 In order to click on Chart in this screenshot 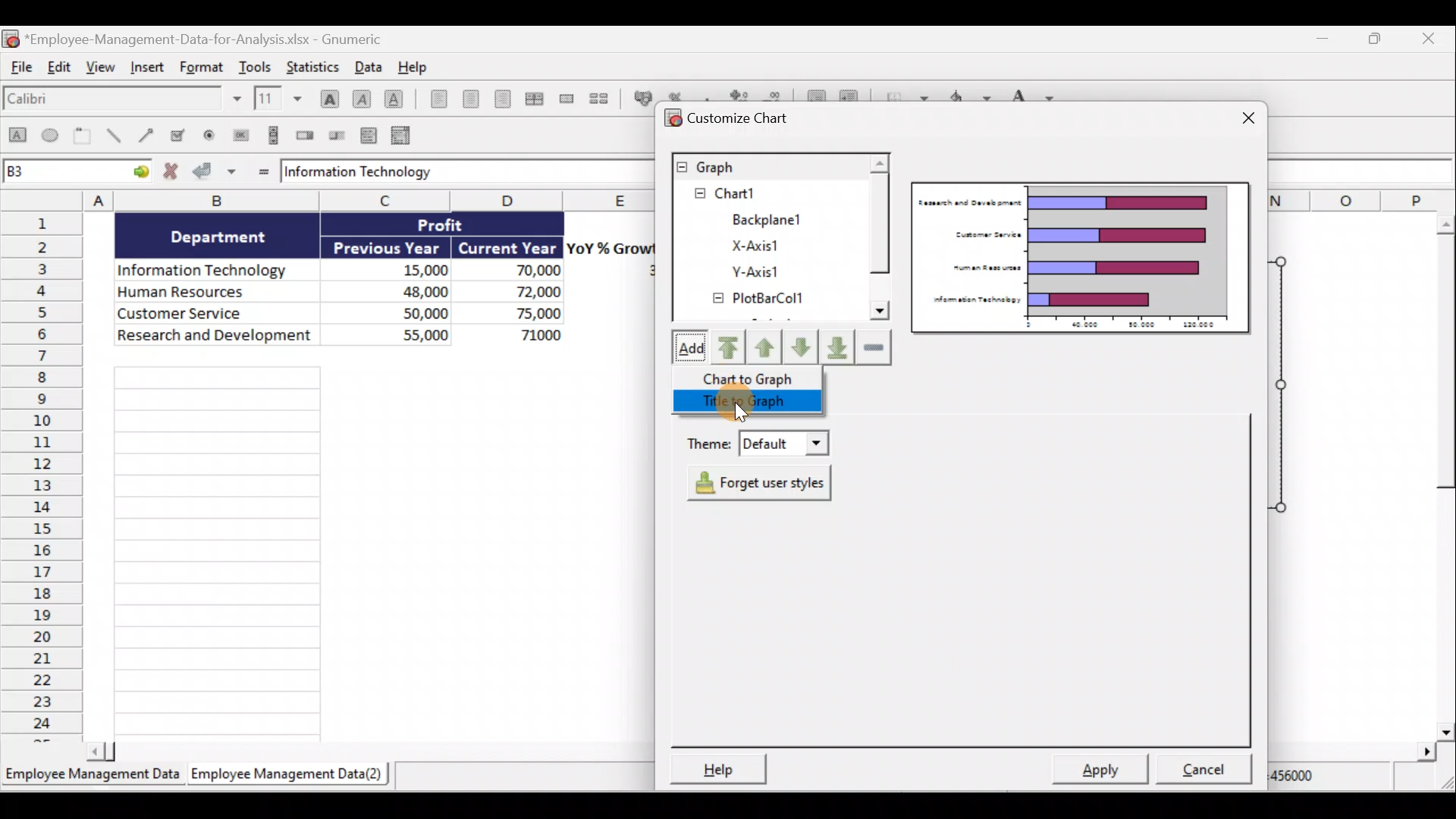, I will do `click(761, 193)`.